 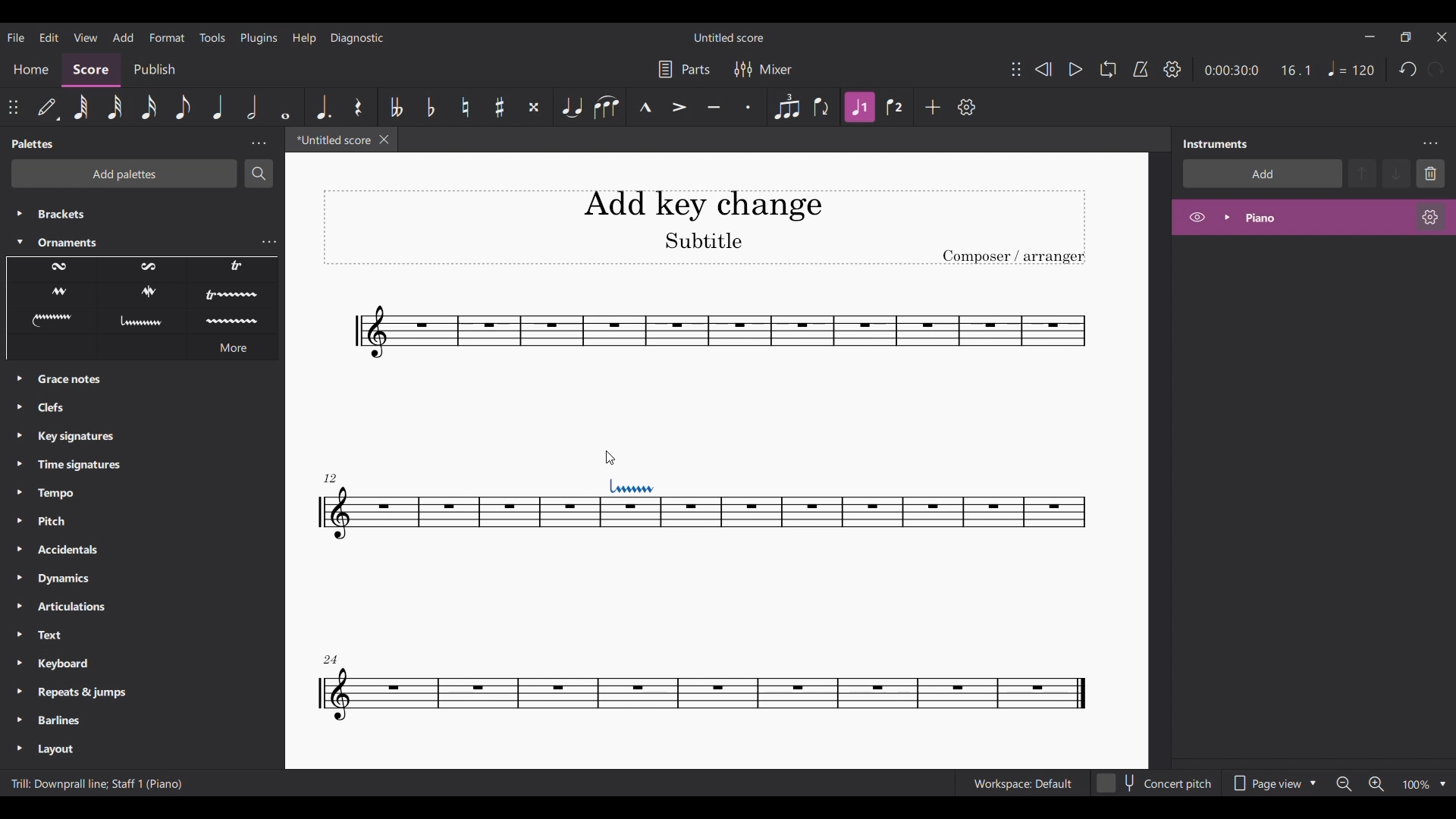 I want to click on Mixer settings, so click(x=763, y=70).